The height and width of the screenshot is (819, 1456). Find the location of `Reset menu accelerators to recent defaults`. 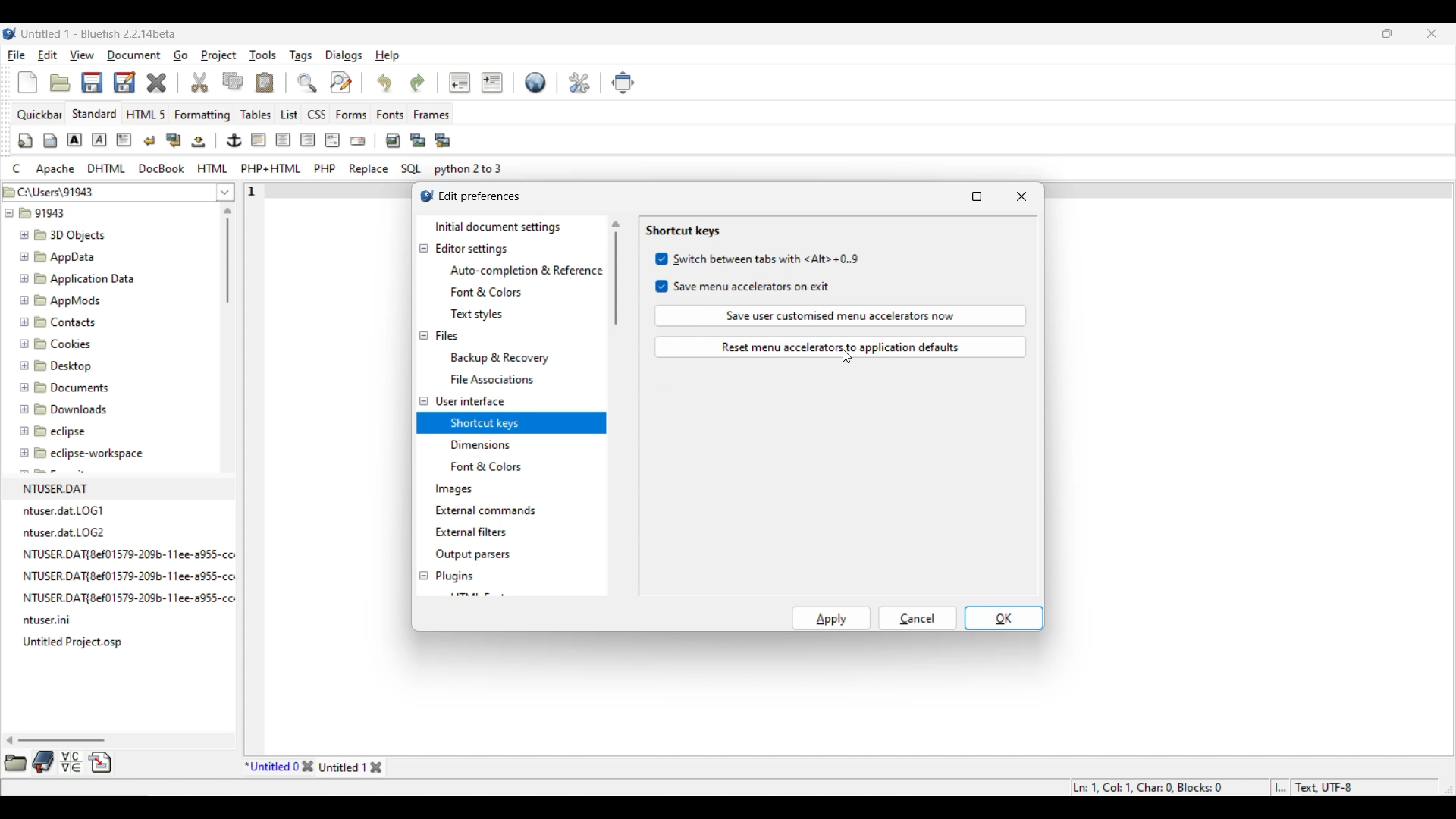

Reset menu accelerators to recent defaults is located at coordinates (841, 347).